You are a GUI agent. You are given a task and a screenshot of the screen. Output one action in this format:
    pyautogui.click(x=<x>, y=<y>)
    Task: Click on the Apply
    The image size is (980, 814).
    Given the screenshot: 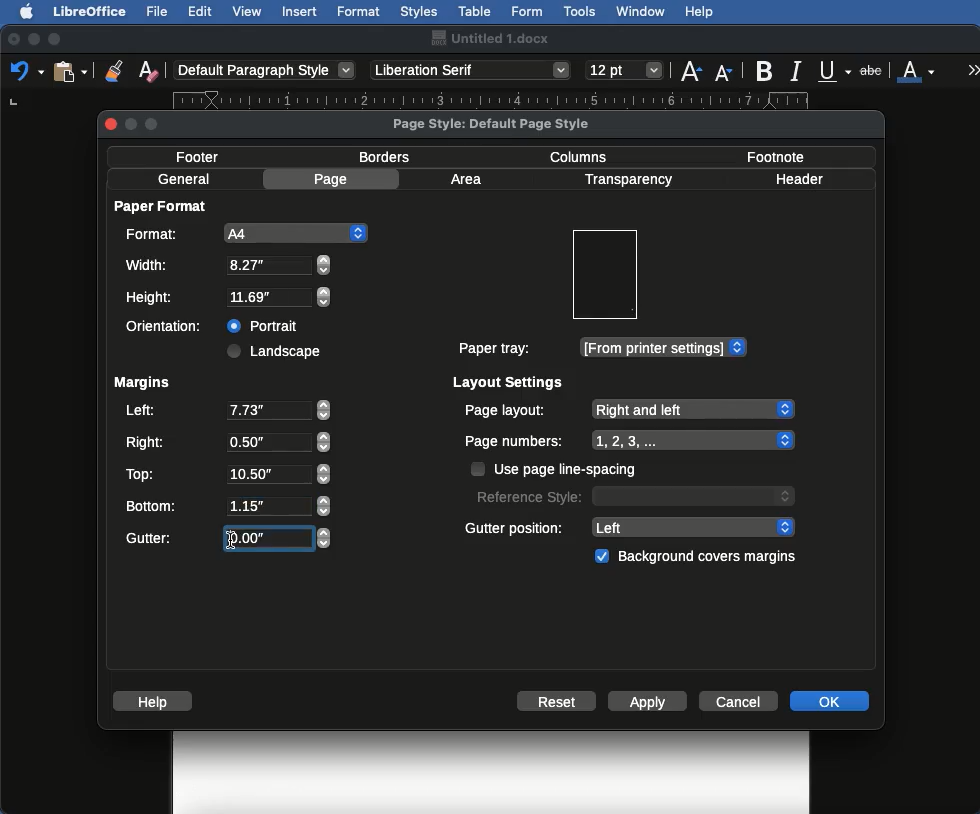 What is the action you would take?
    pyautogui.click(x=648, y=703)
    